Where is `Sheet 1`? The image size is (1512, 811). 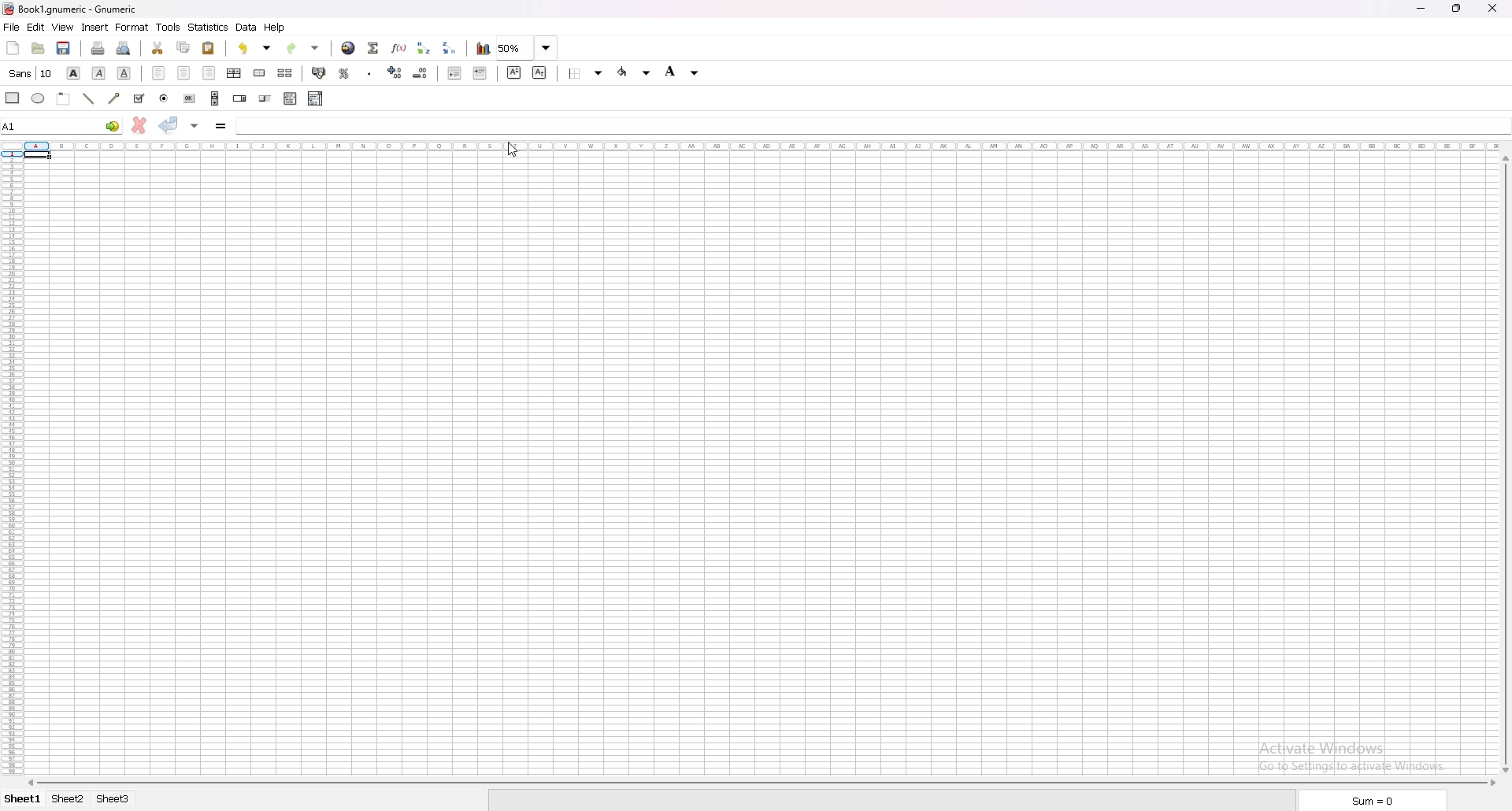 Sheet 1 is located at coordinates (20, 800).